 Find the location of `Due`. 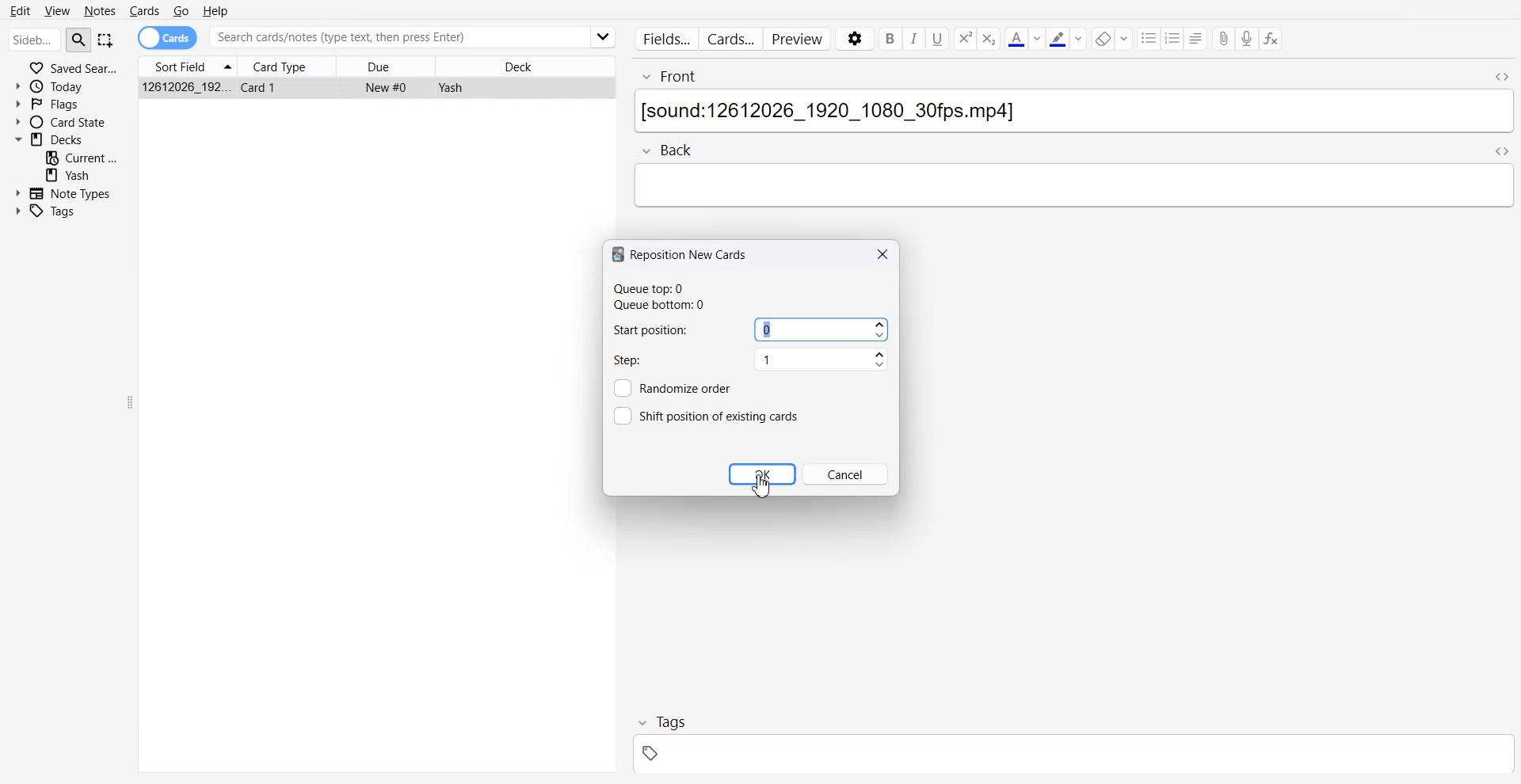

Due is located at coordinates (395, 66).